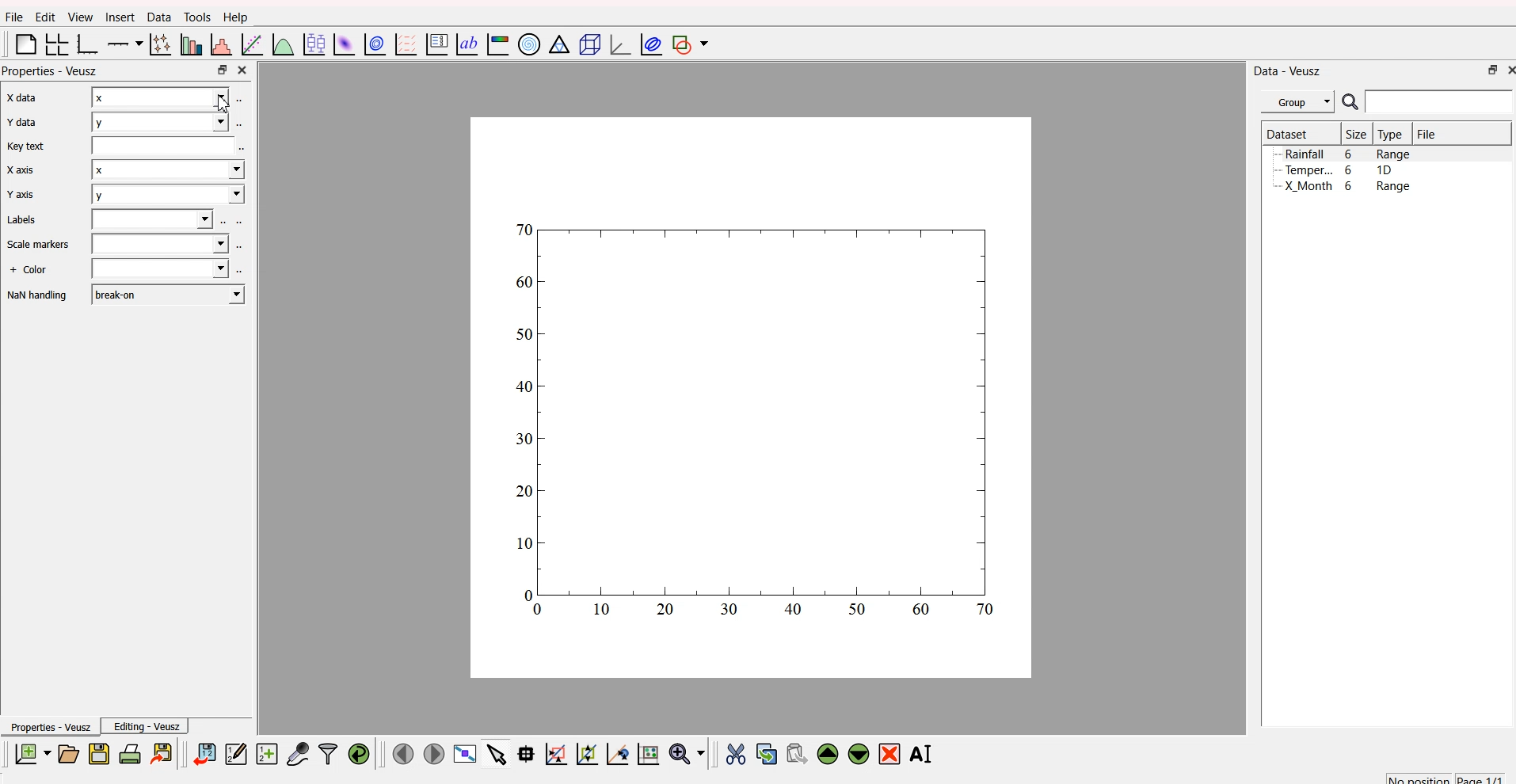  Describe the element at coordinates (168, 173) in the screenshot. I see `x` at that location.